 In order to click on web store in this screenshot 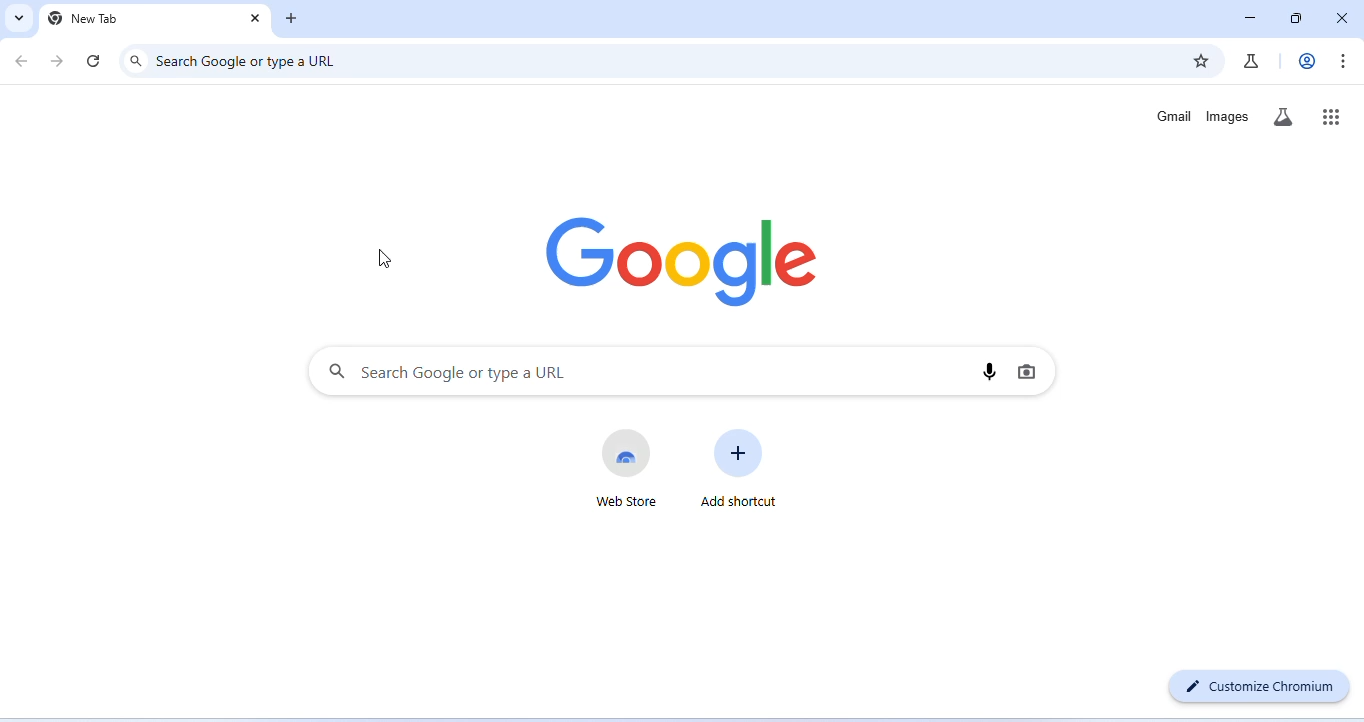, I will do `click(633, 468)`.